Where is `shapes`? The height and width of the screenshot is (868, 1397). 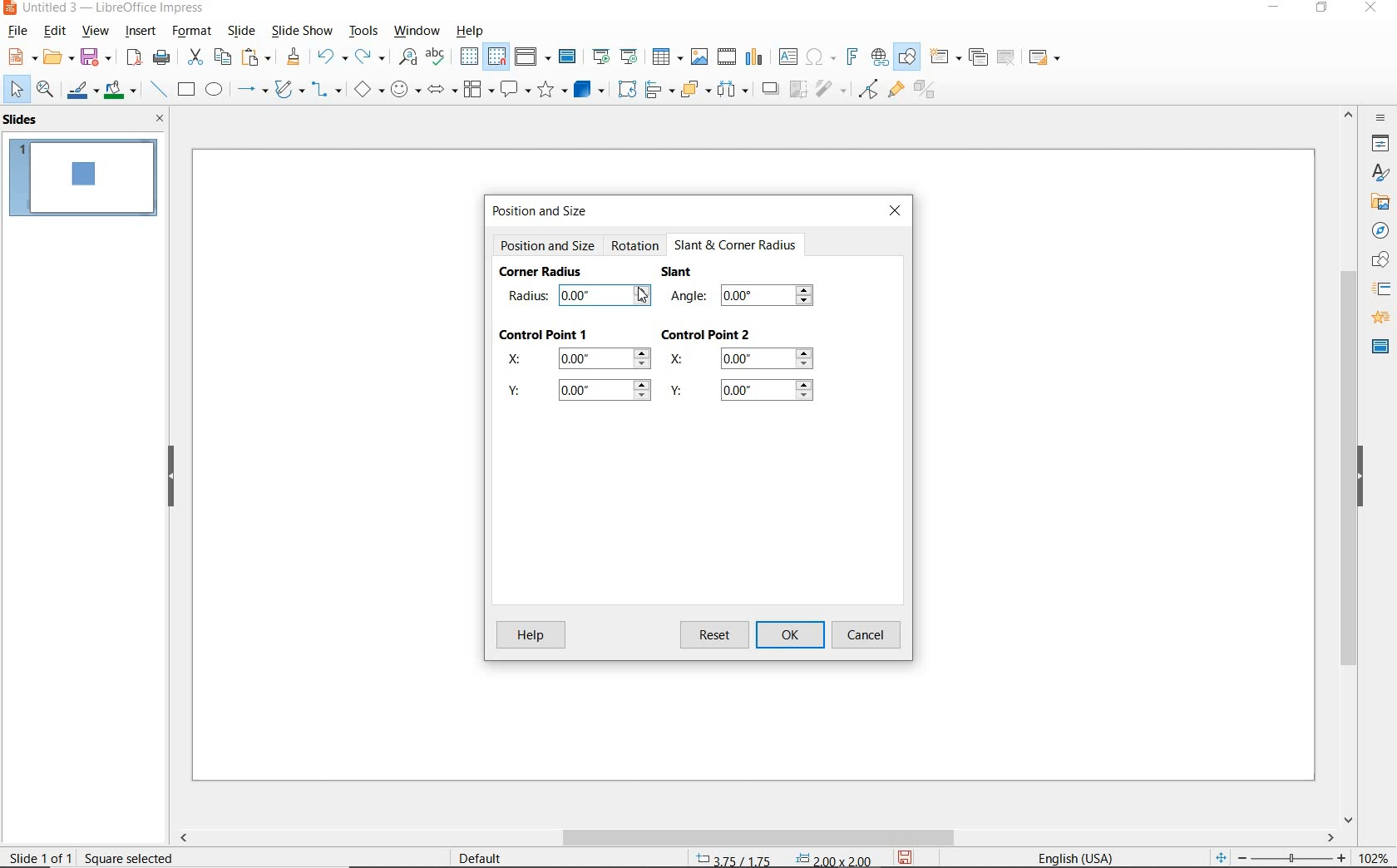 shapes is located at coordinates (1377, 260).